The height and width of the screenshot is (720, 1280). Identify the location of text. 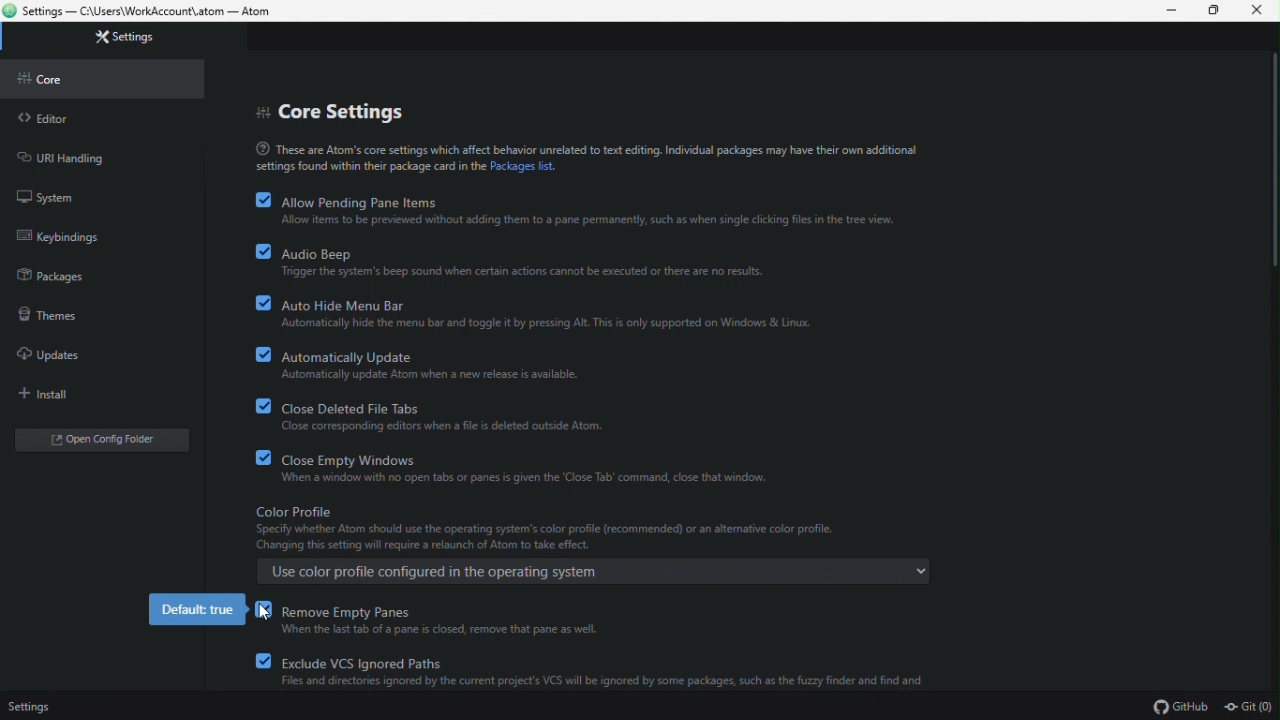
(584, 155).